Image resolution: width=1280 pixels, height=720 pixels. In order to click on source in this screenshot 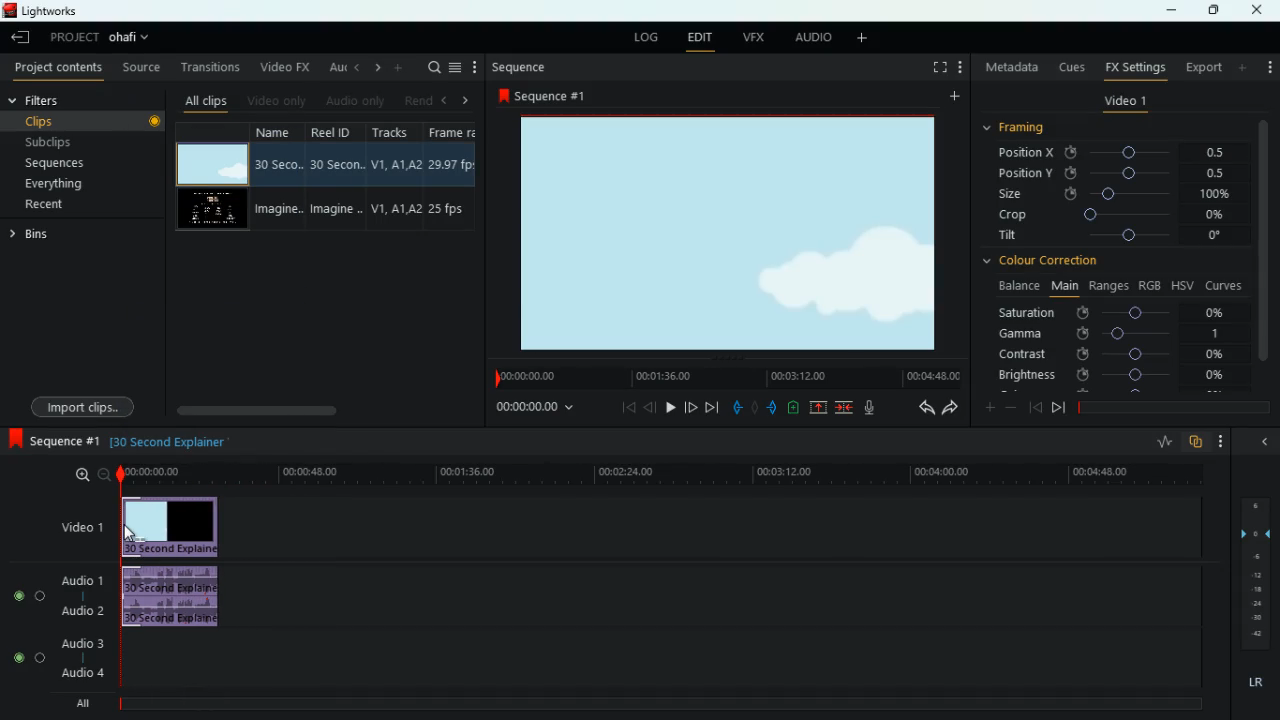, I will do `click(139, 68)`.